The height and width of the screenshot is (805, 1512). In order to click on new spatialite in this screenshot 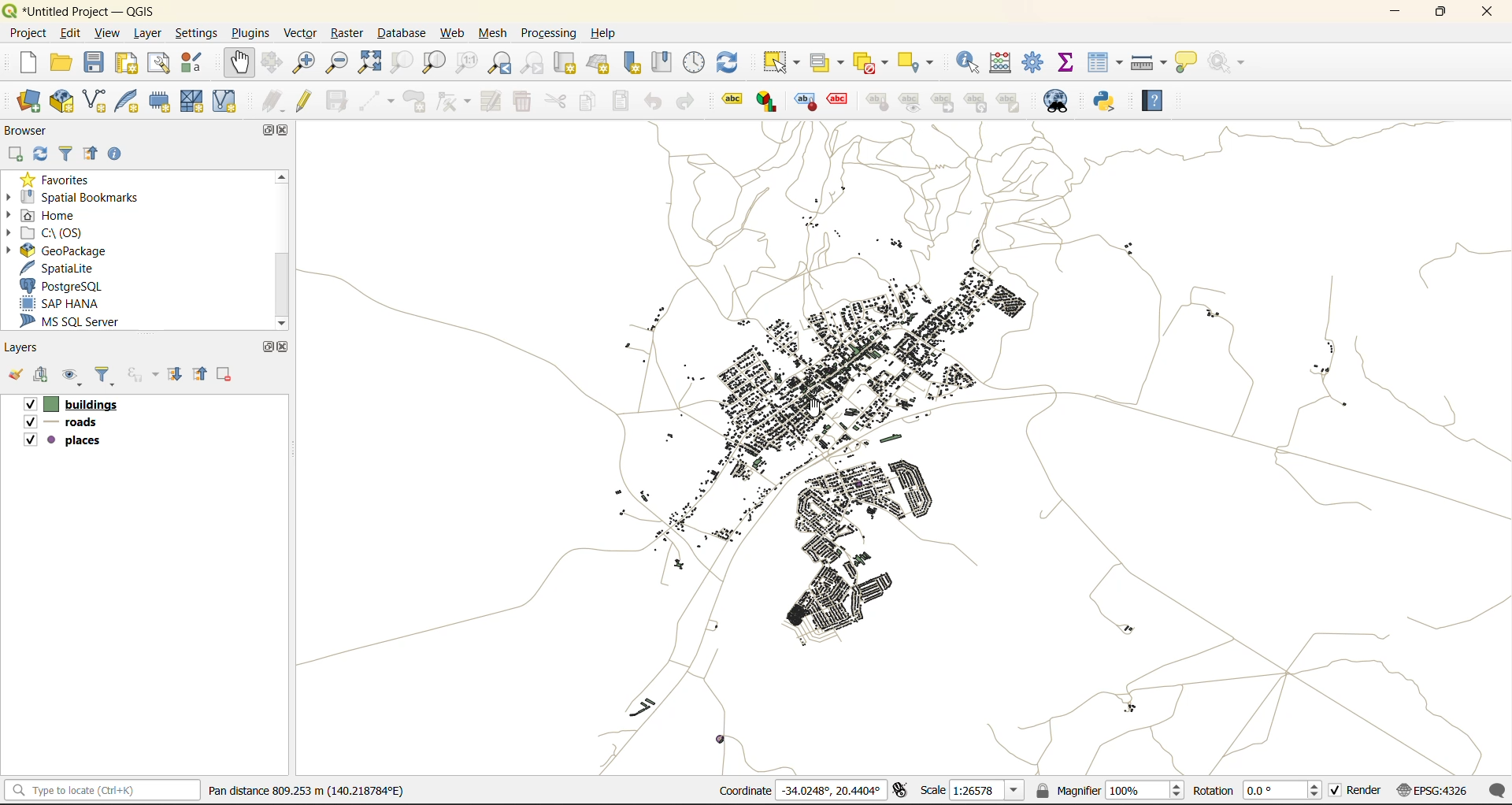, I will do `click(128, 100)`.